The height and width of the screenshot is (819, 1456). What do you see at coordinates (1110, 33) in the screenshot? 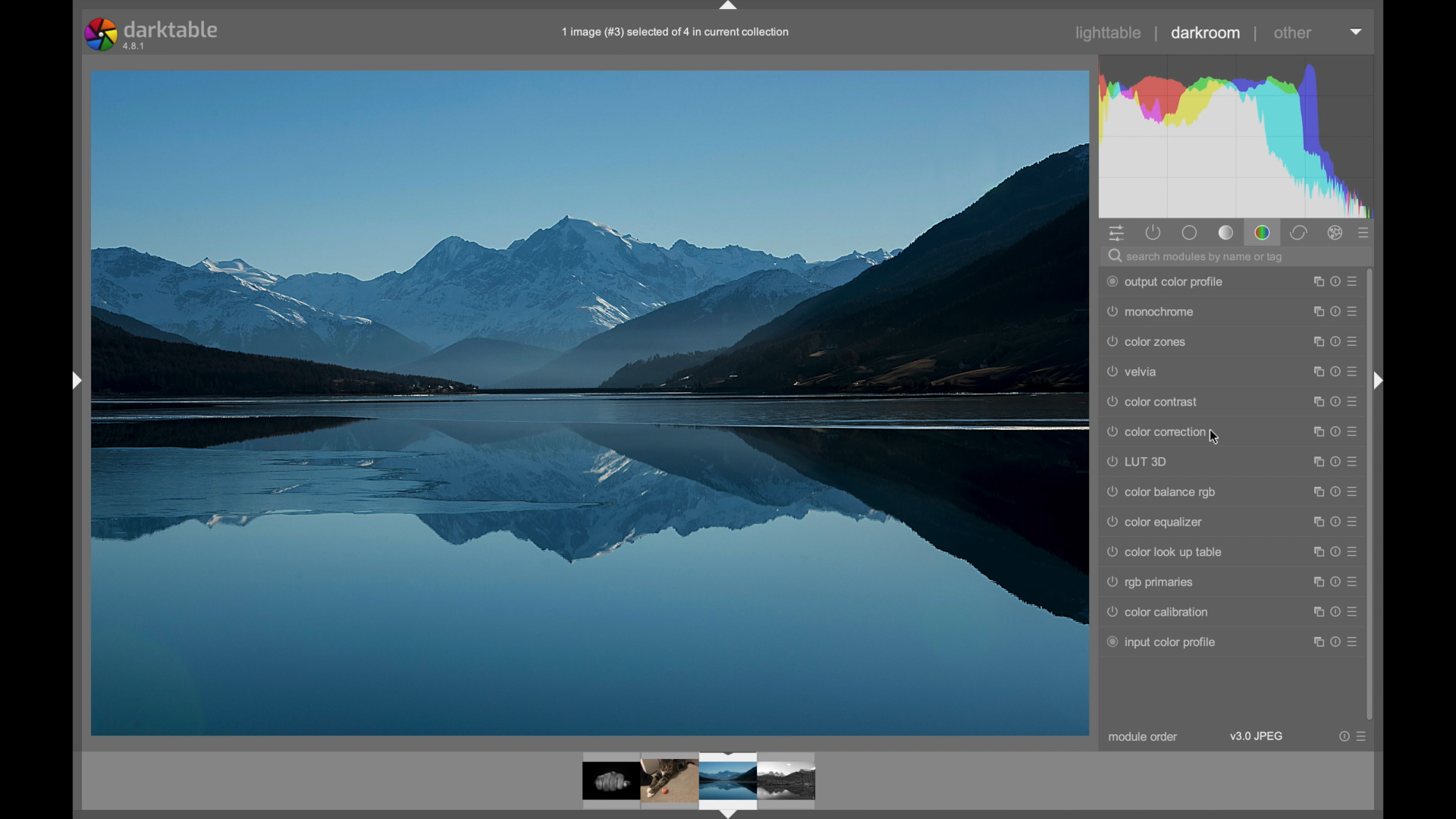
I see `lighttable` at bounding box center [1110, 33].